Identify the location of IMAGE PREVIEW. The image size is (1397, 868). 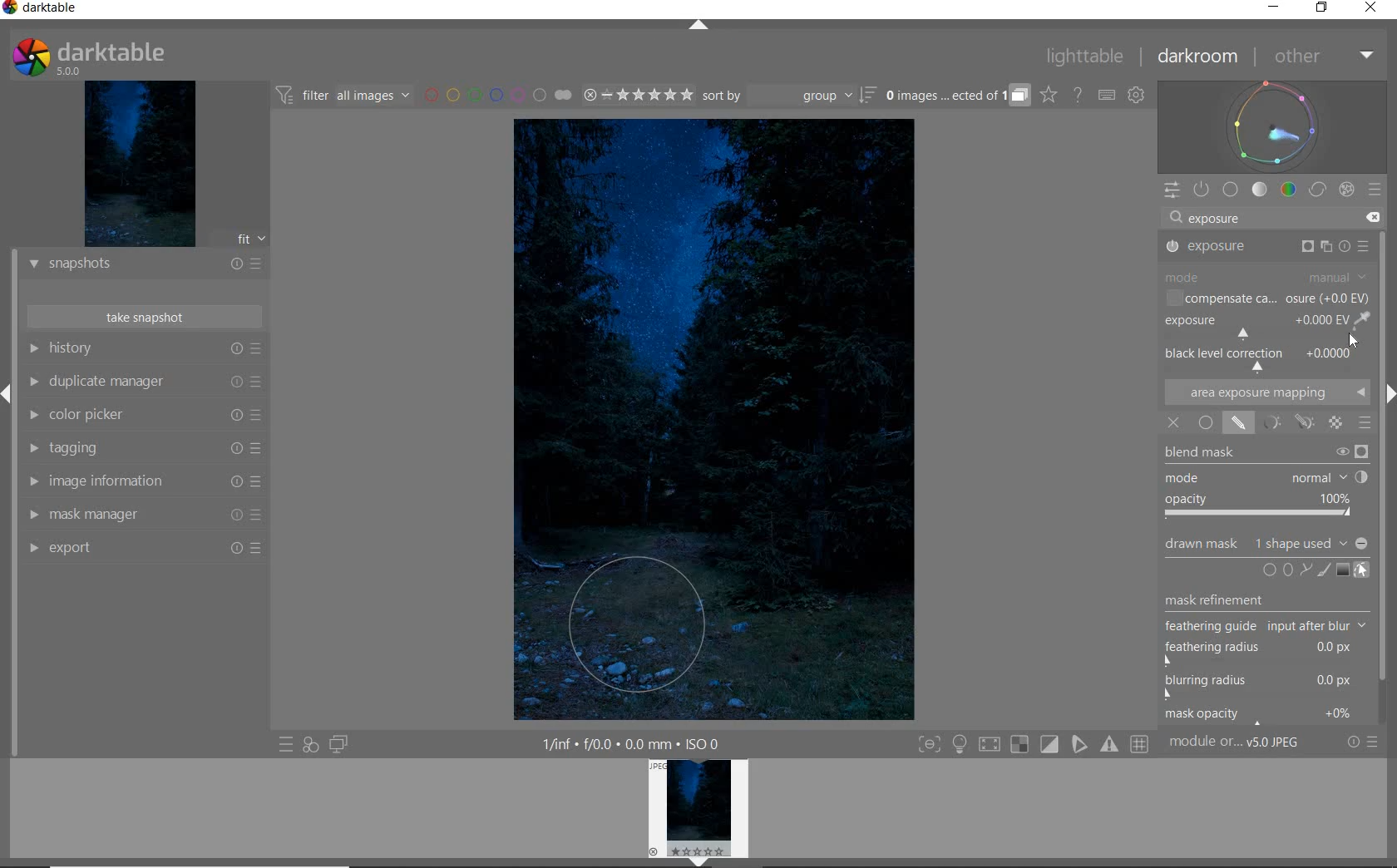
(698, 812).